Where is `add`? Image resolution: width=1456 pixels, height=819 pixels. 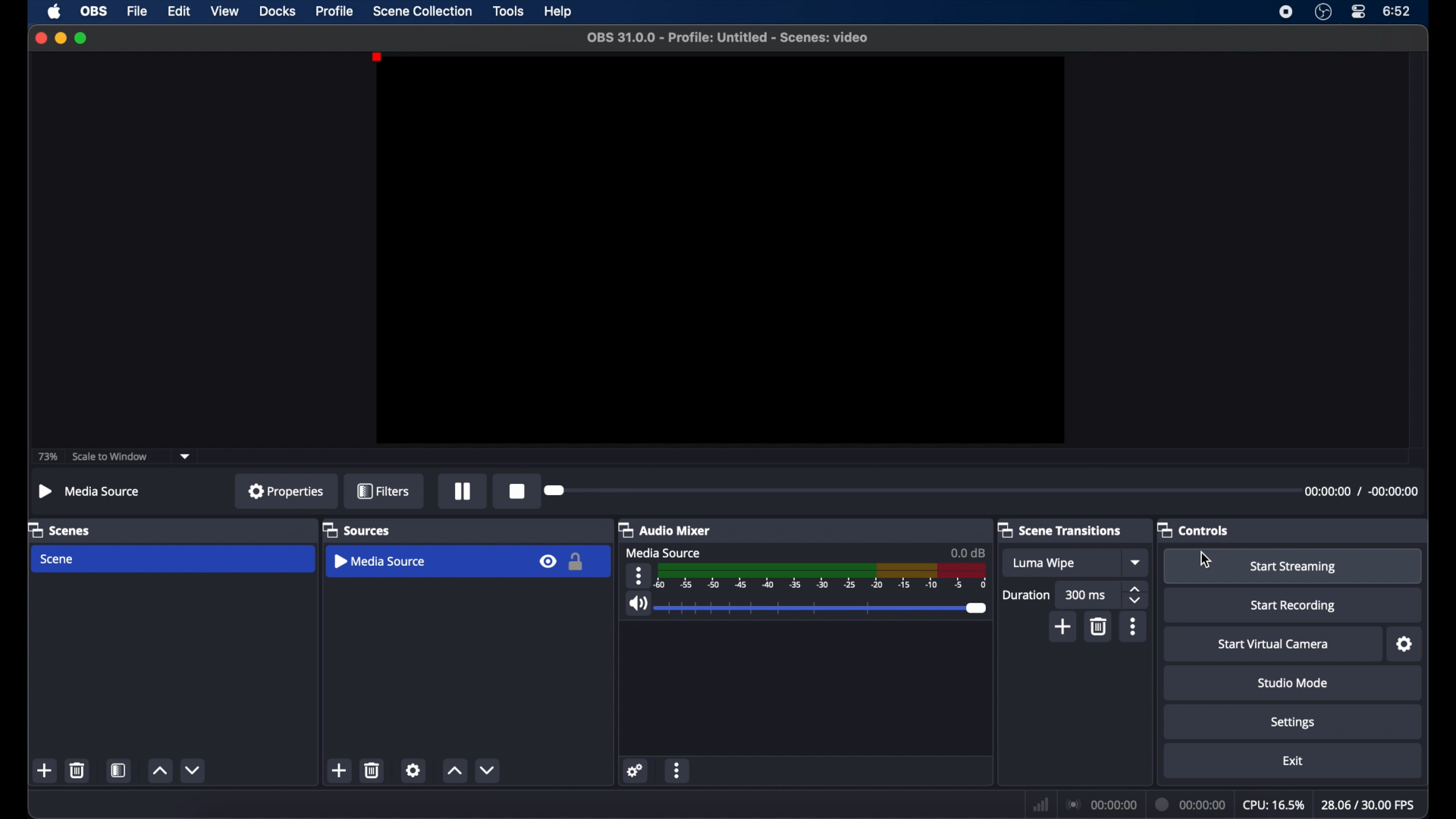
add is located at coordinates (44, 770).